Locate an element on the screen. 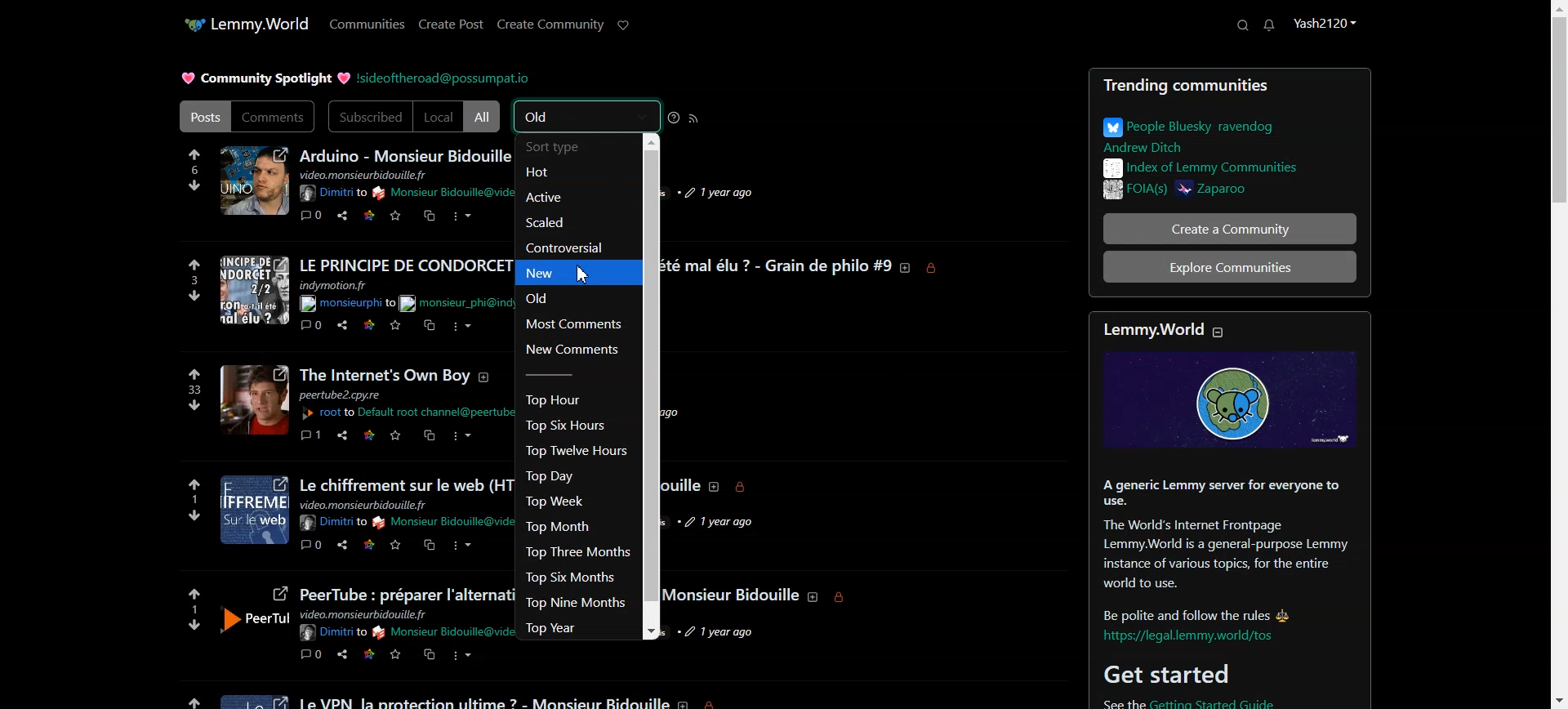  text is located at coordinates (487, 700).